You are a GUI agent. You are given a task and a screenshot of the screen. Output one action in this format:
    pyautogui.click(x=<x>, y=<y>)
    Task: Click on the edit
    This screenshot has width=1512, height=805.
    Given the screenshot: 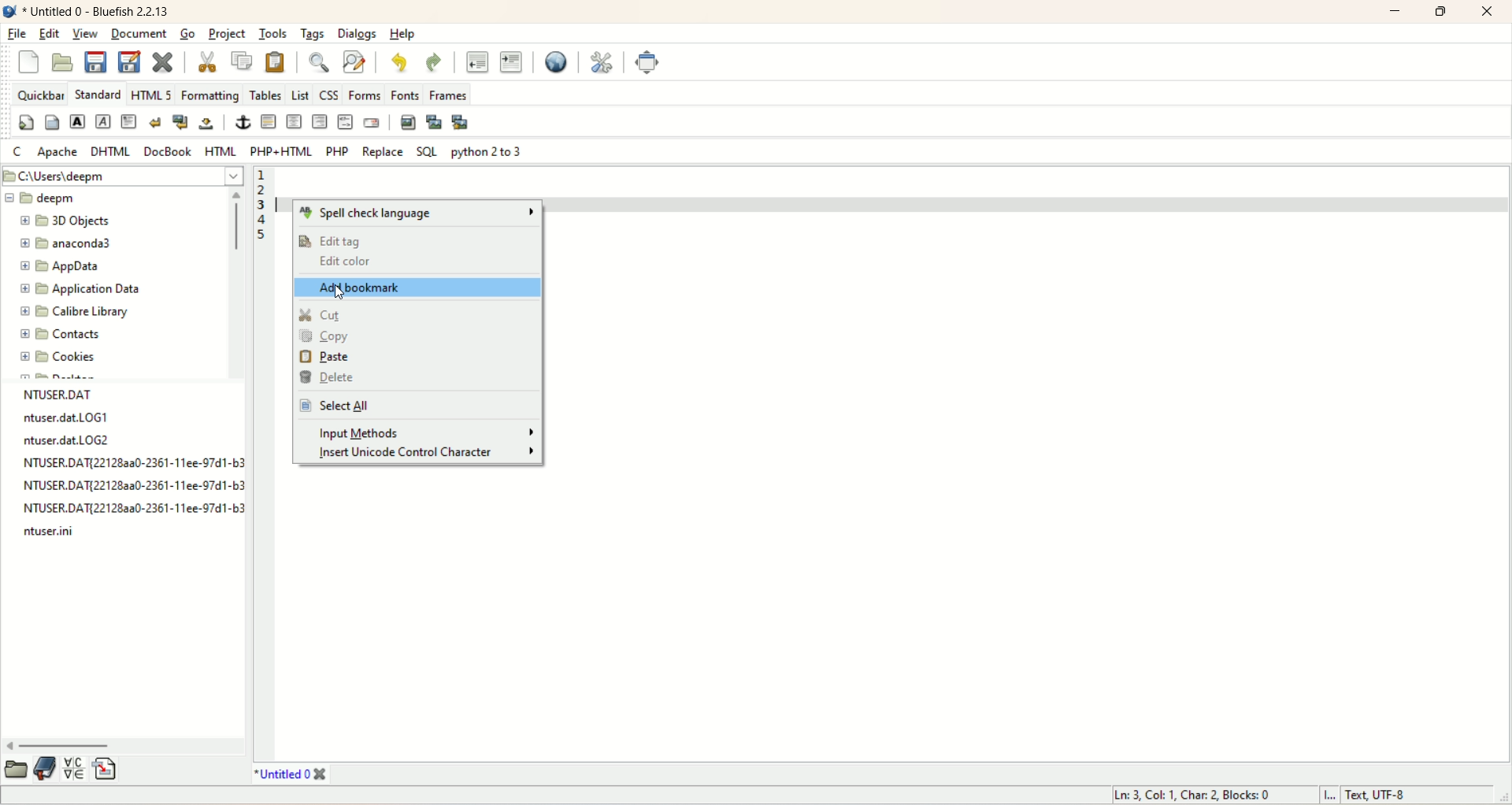 What is the action you would take?
    pyautogui.click(x=49, y=34)
    